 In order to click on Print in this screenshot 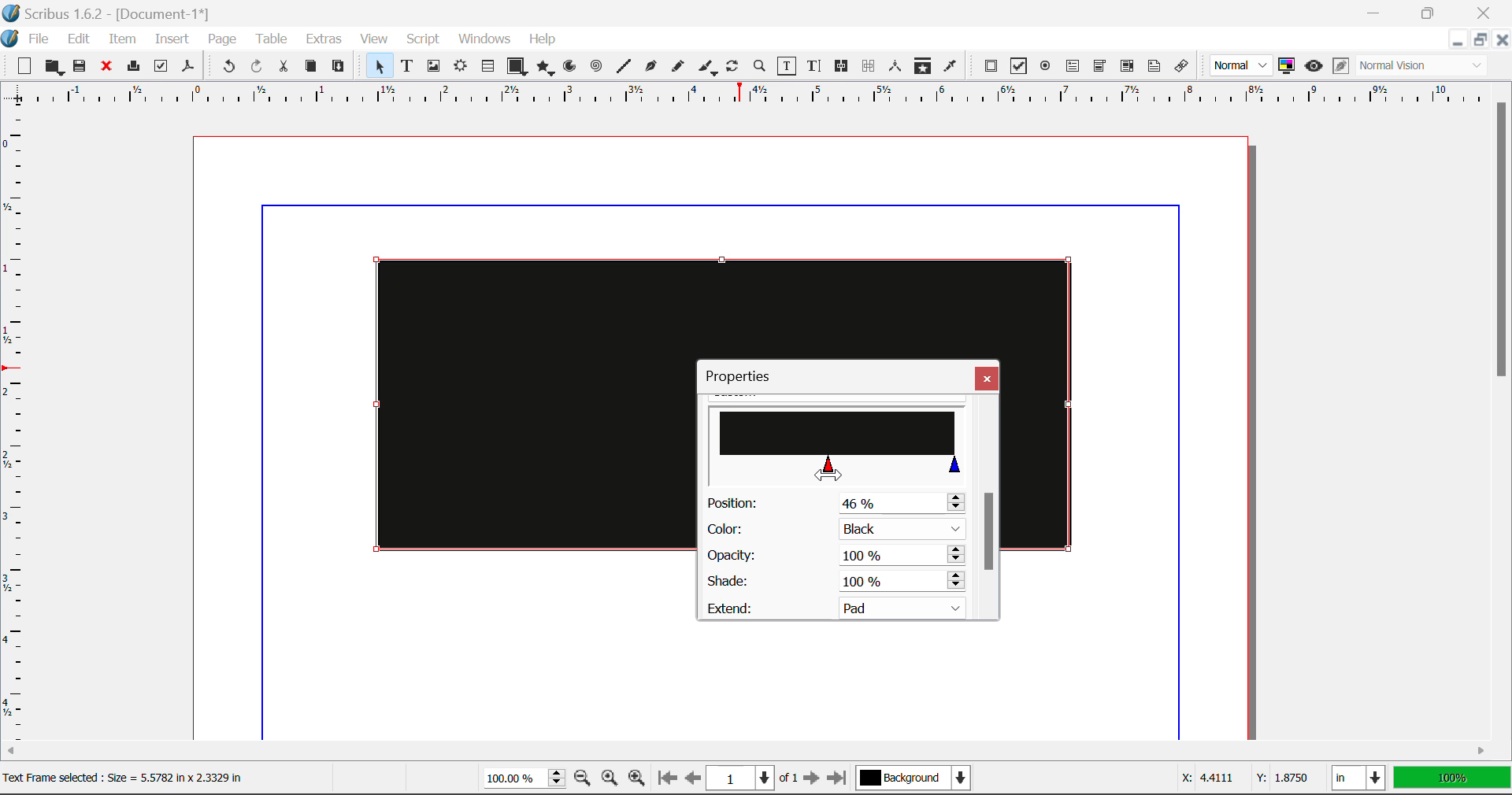, I will do `click(132, 66)`.